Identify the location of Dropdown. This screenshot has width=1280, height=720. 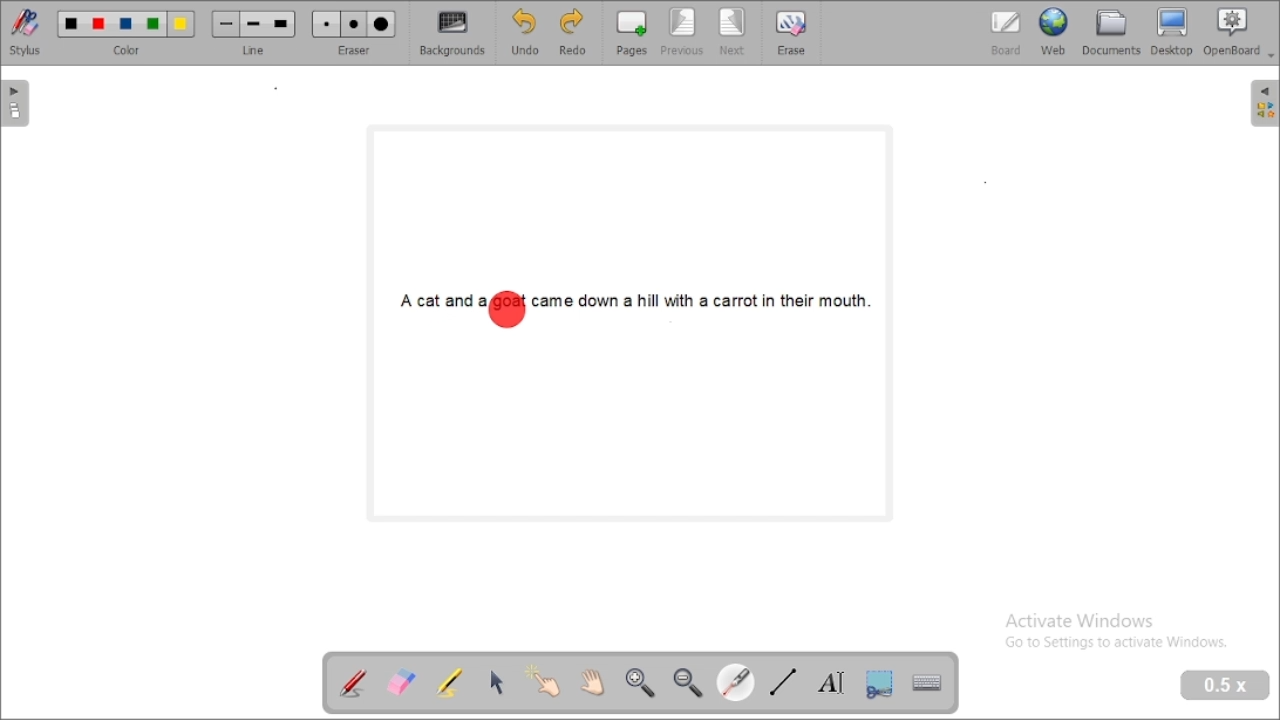
(1272, 56).